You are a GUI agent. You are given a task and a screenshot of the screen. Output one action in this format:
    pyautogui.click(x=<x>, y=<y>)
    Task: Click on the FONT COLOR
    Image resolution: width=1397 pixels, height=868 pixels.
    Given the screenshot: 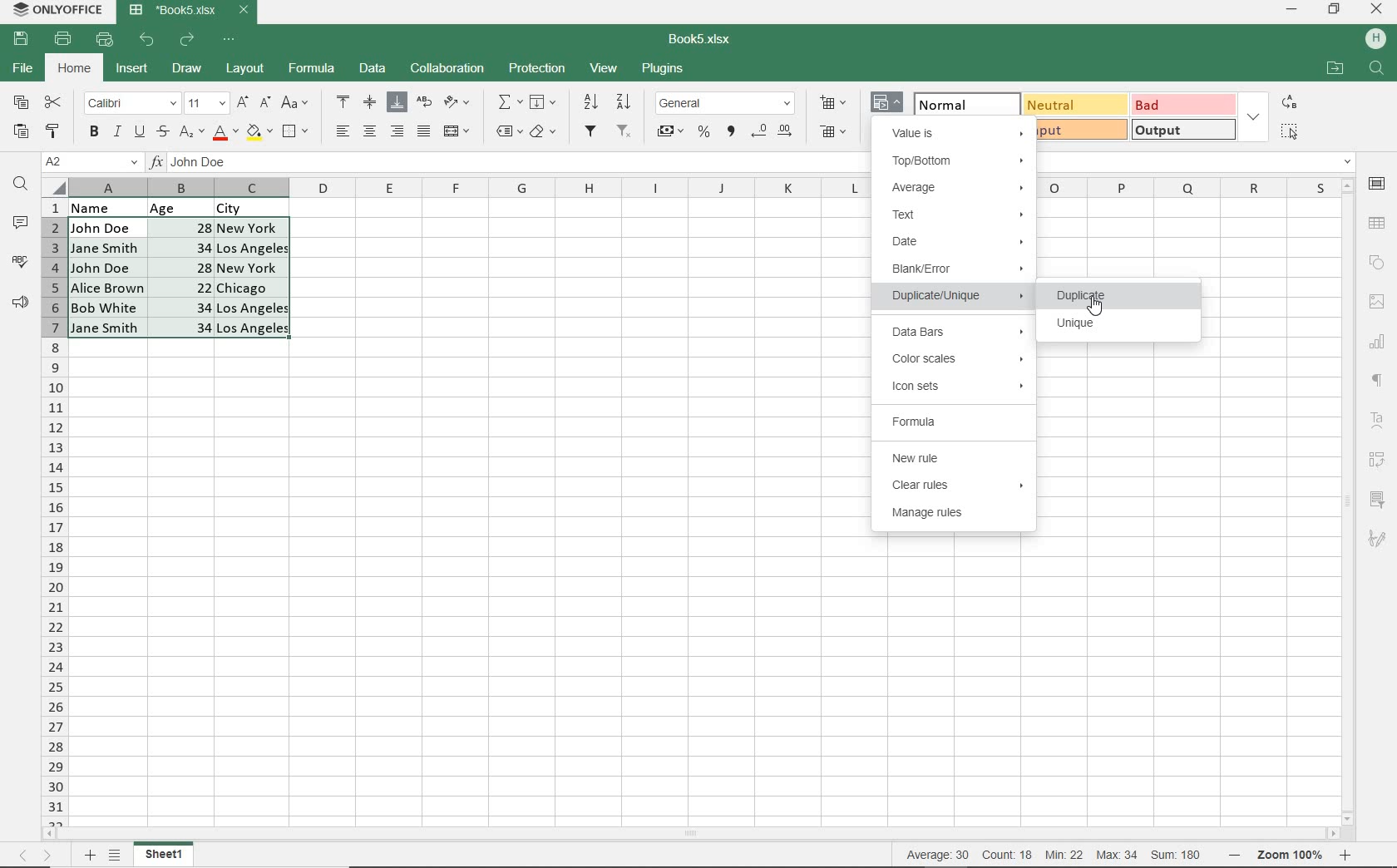 What is the action you would take?
    pyautogui.click(x=225, y=133)
    